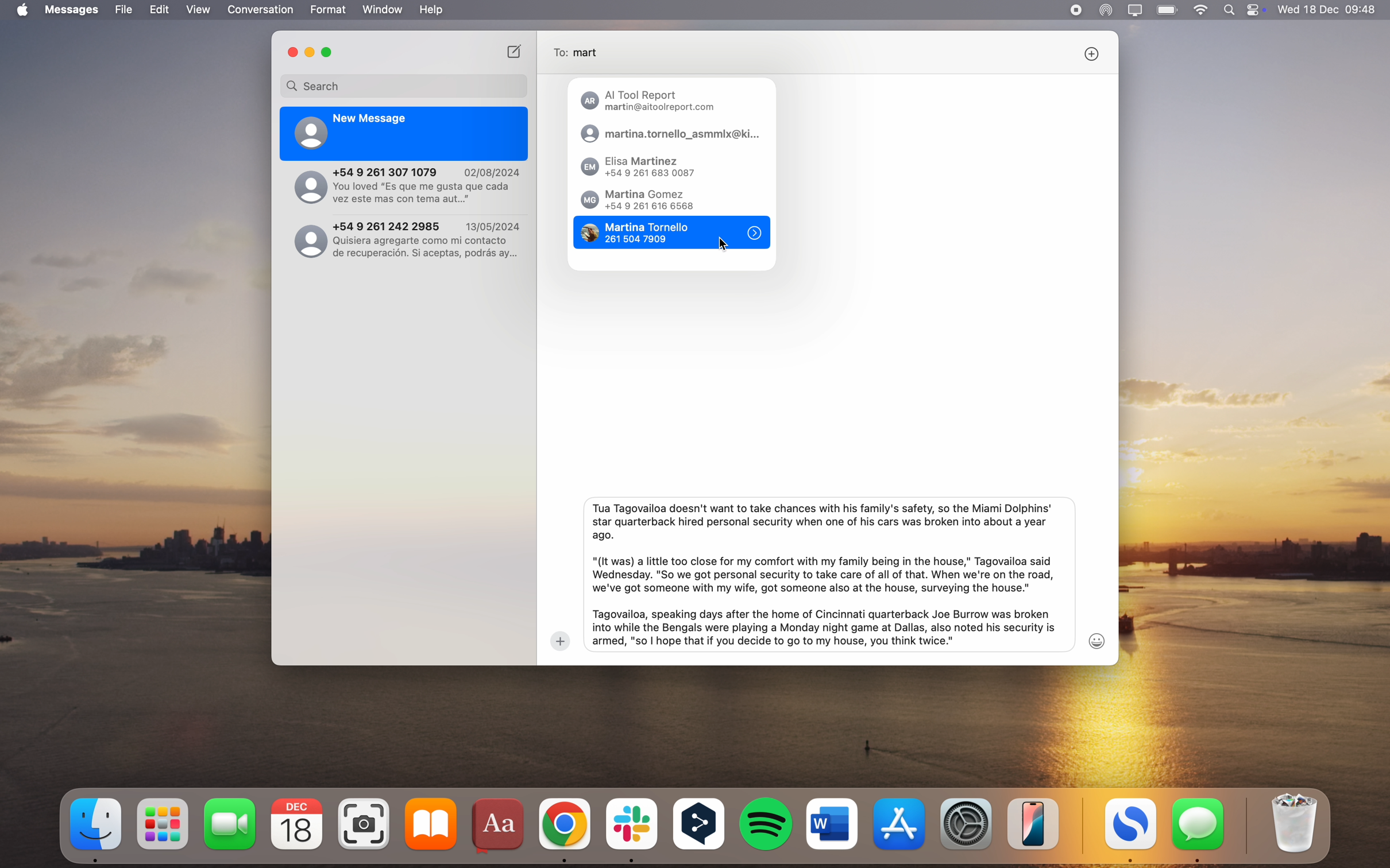 This screenshot has height=868, width=1390. Describe the element at coordinates (20, 10) in the screenshot. I see `Apple icon` at that location.